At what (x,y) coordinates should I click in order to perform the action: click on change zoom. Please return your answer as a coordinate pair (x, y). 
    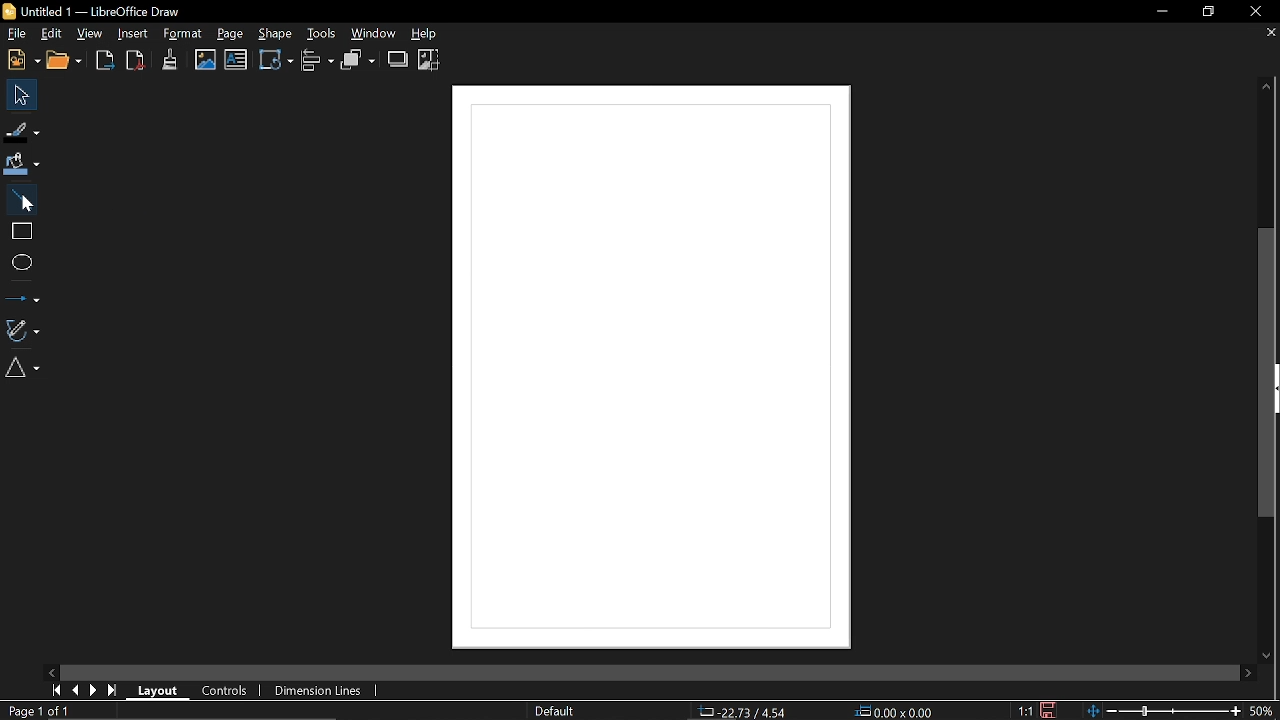
    Looking at the image, I should click on (1164, 711).